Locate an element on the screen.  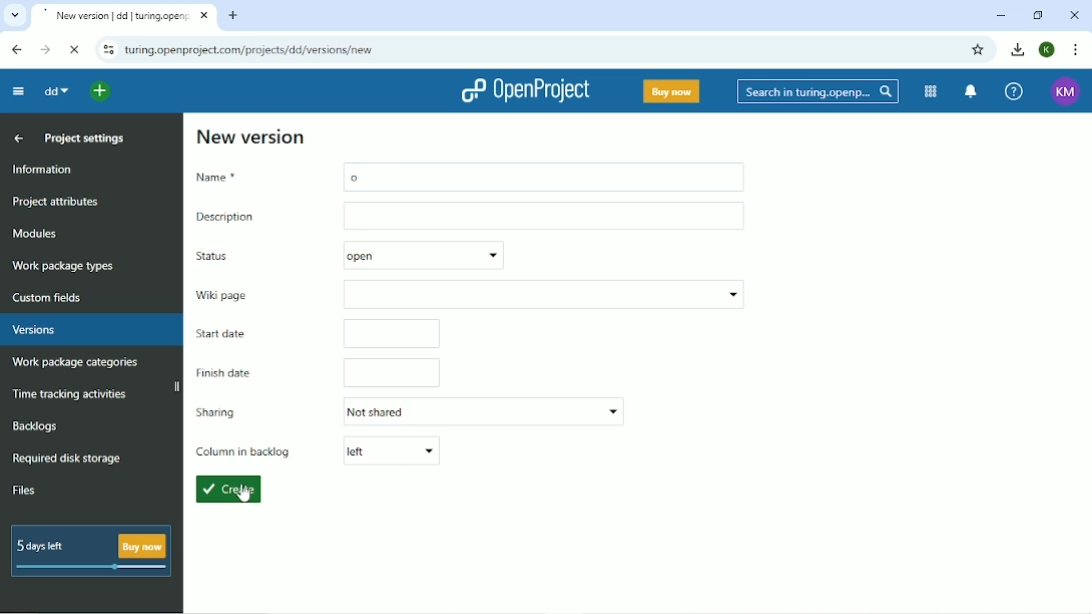
To notification center is located at coordinates (971, 91).